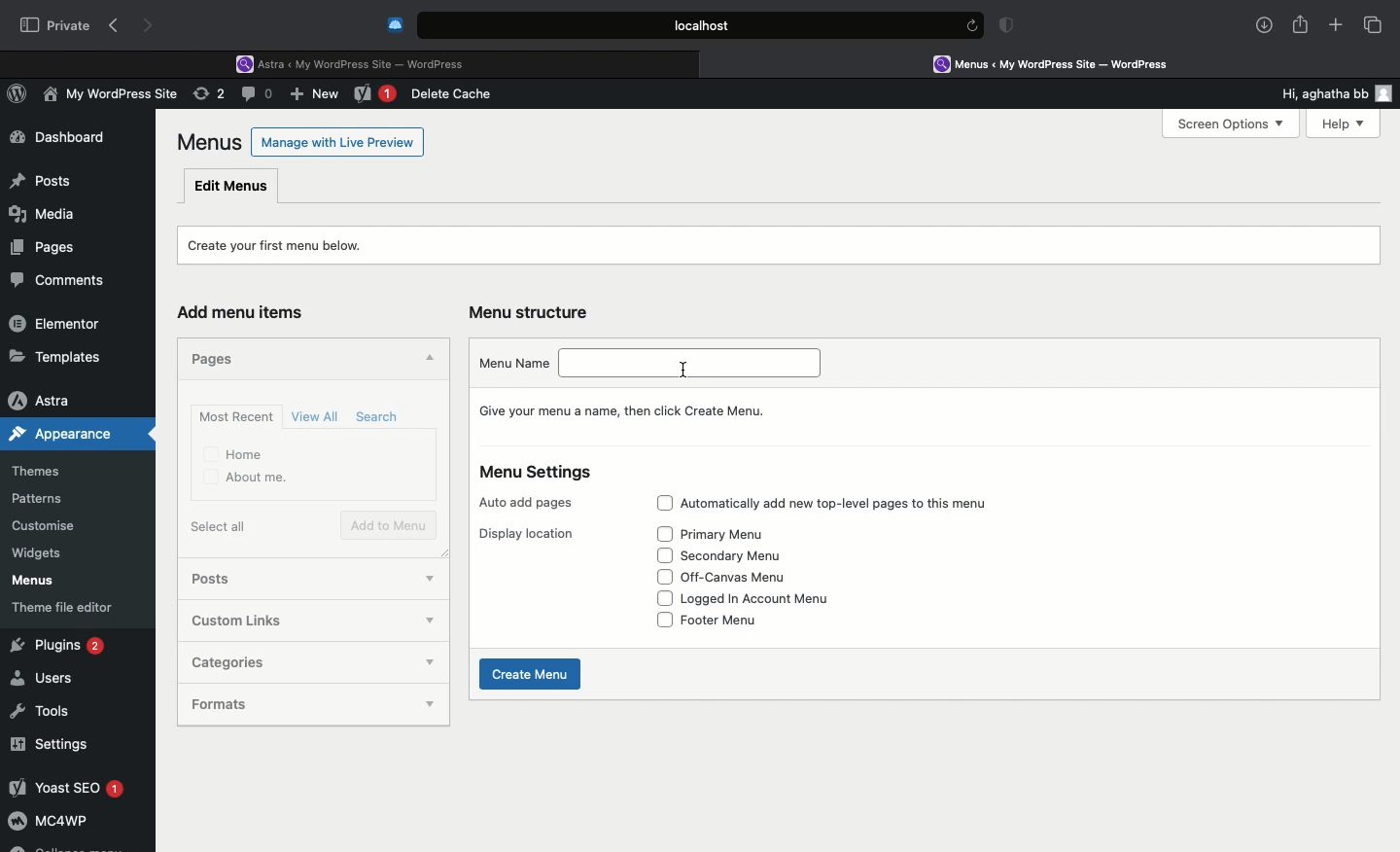 This screenshot has width=1400, height=852. I want to click on Edit menus, so click(232, 185).